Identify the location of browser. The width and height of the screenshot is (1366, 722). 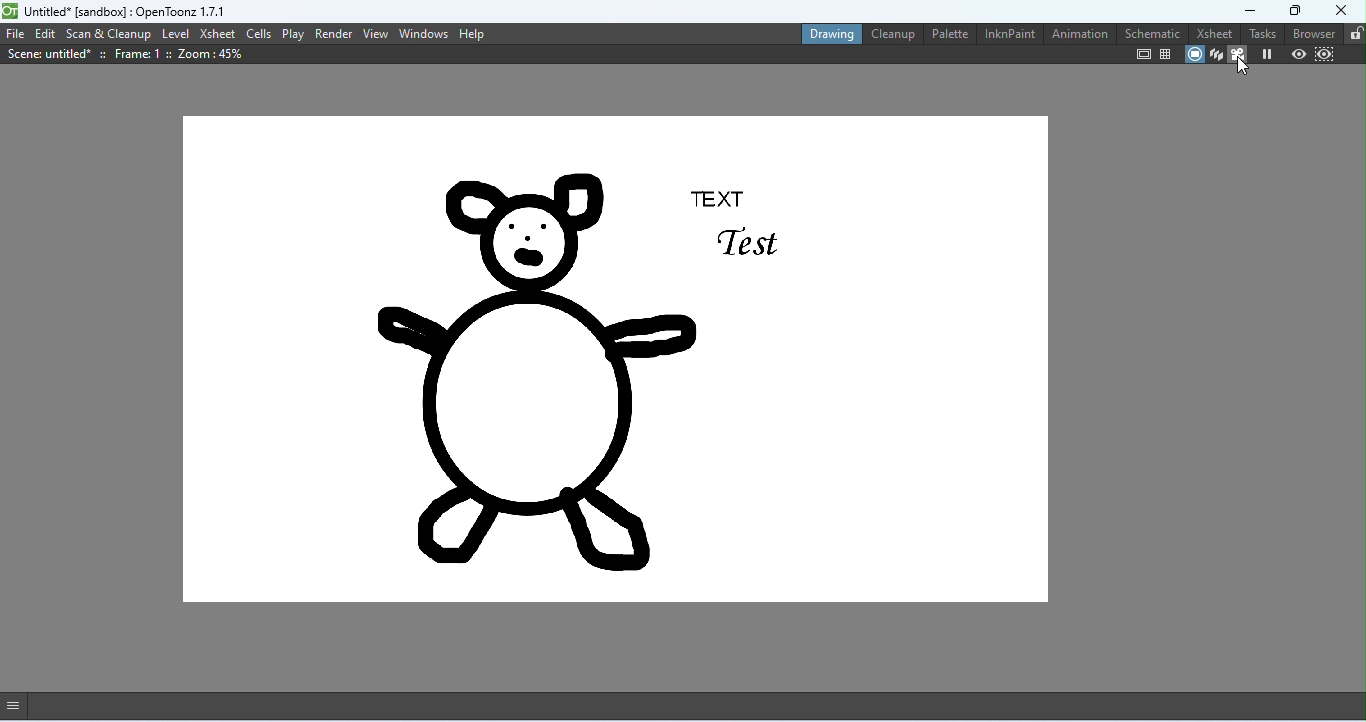
(1312, 34).